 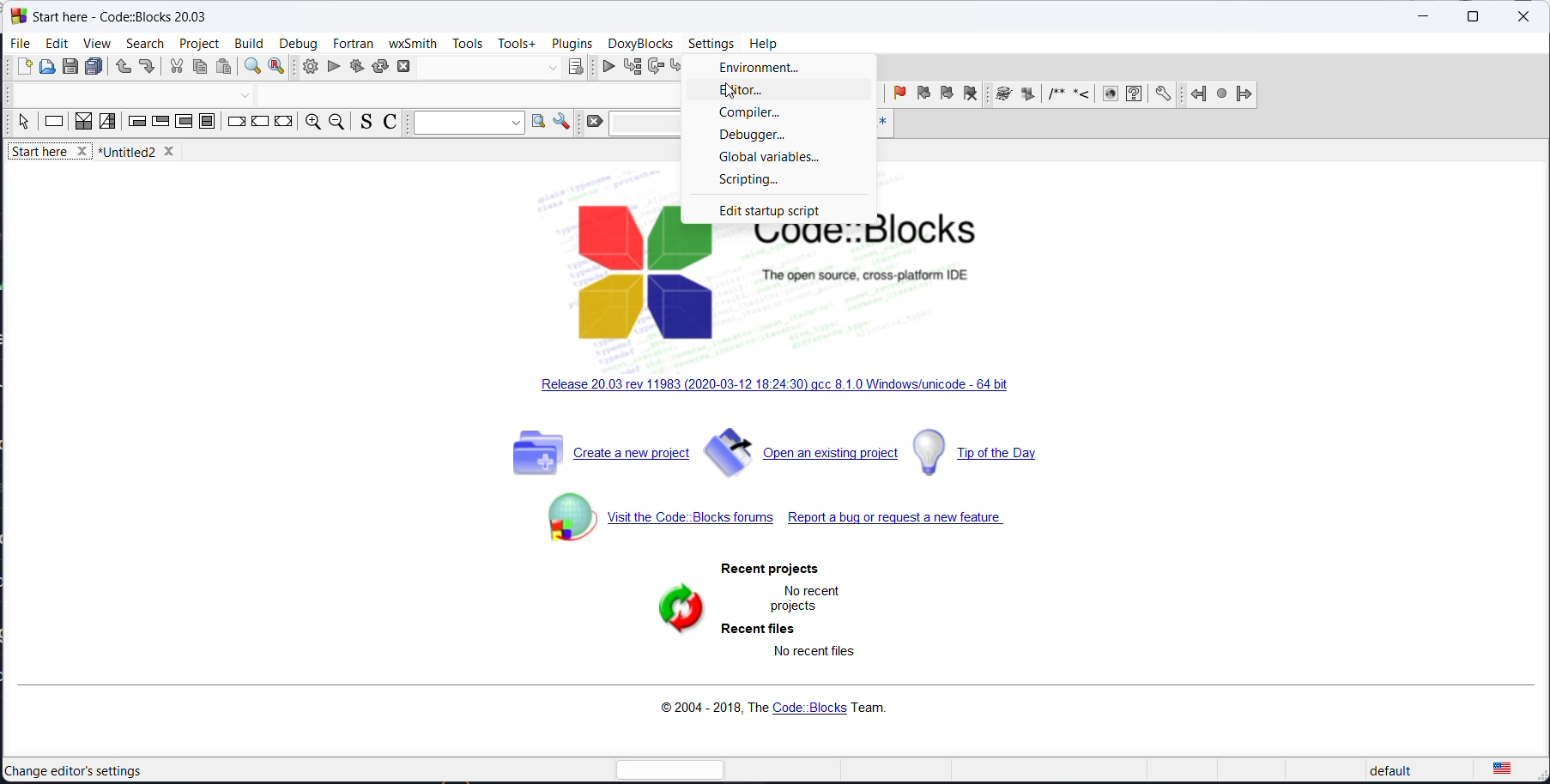 What do you see at coordinates (970, 96) in the screenshot?
I see `remove bookmark` at bounding box center [970, 96].